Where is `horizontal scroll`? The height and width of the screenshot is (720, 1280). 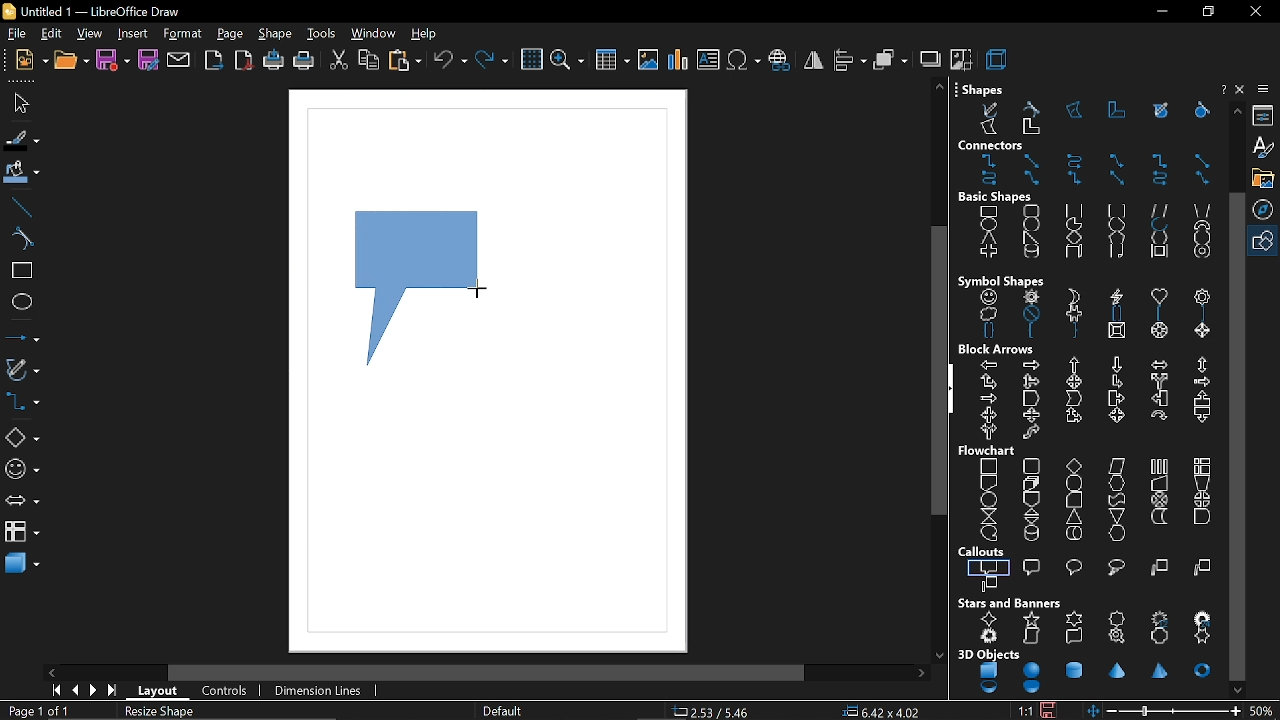
horizontal scroll is located at coordinates (1072, 636).